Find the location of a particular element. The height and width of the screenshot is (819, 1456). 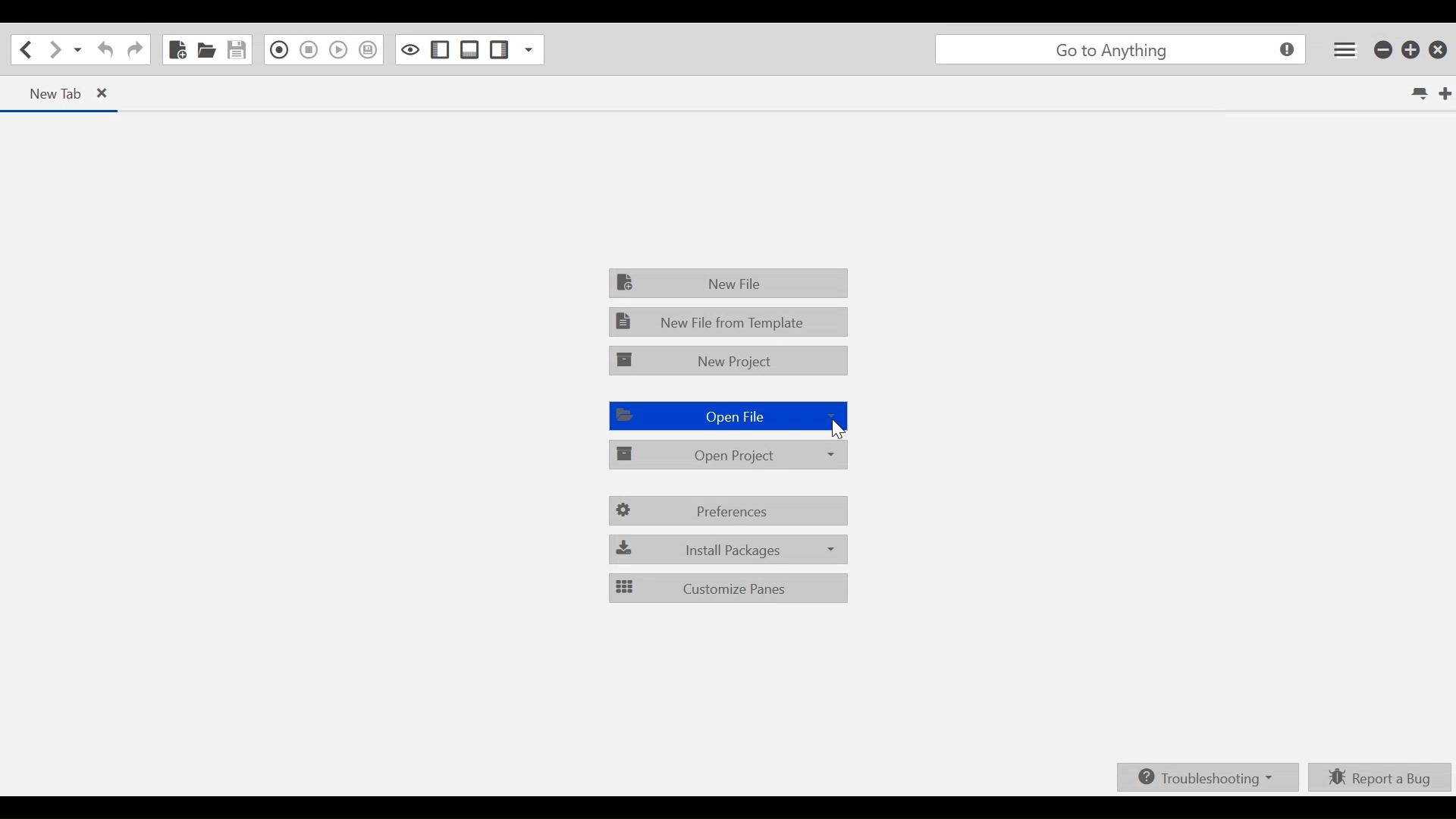

Show/Hide bottom Pane is located at coordinates (469, 49).